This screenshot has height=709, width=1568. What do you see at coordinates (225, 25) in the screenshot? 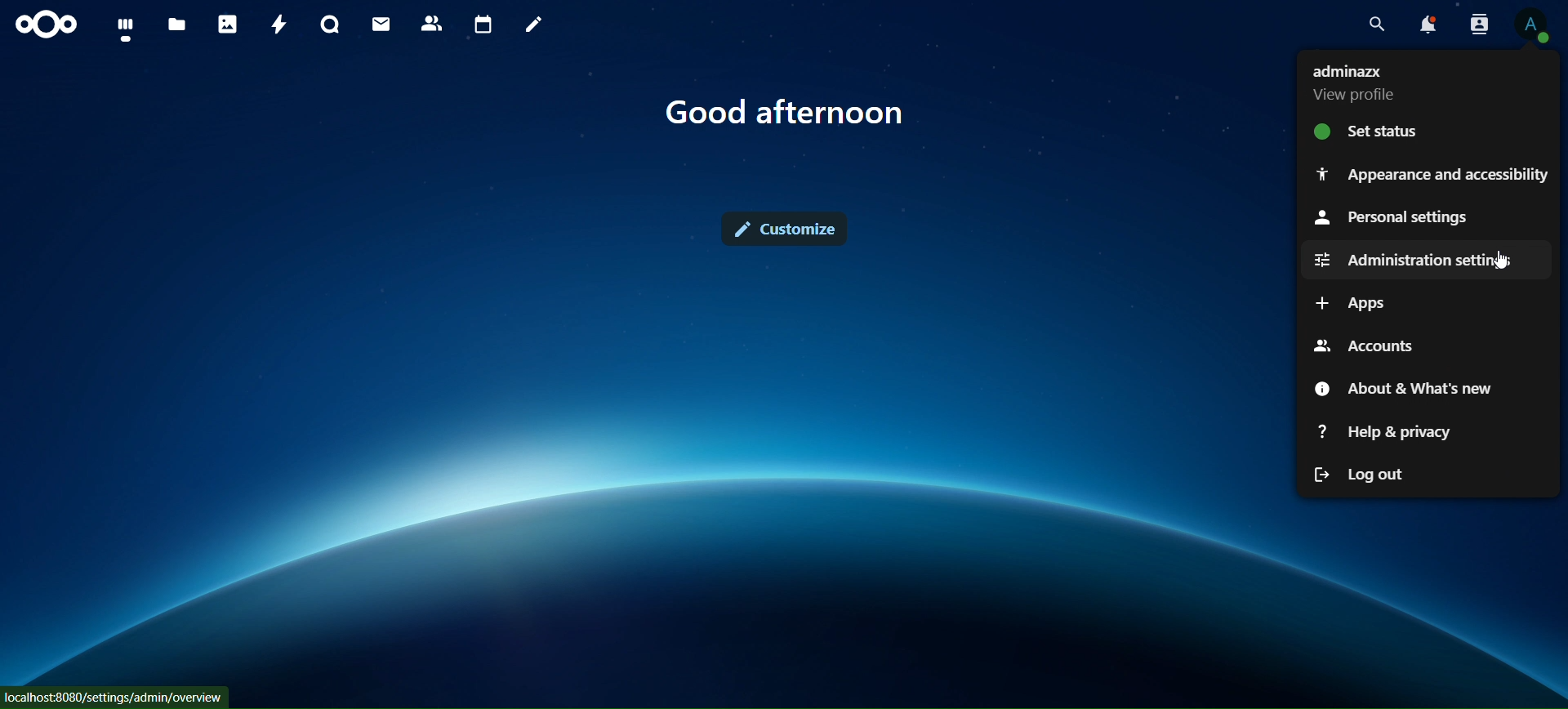
I see `photos` at bounding box center [225, 25].